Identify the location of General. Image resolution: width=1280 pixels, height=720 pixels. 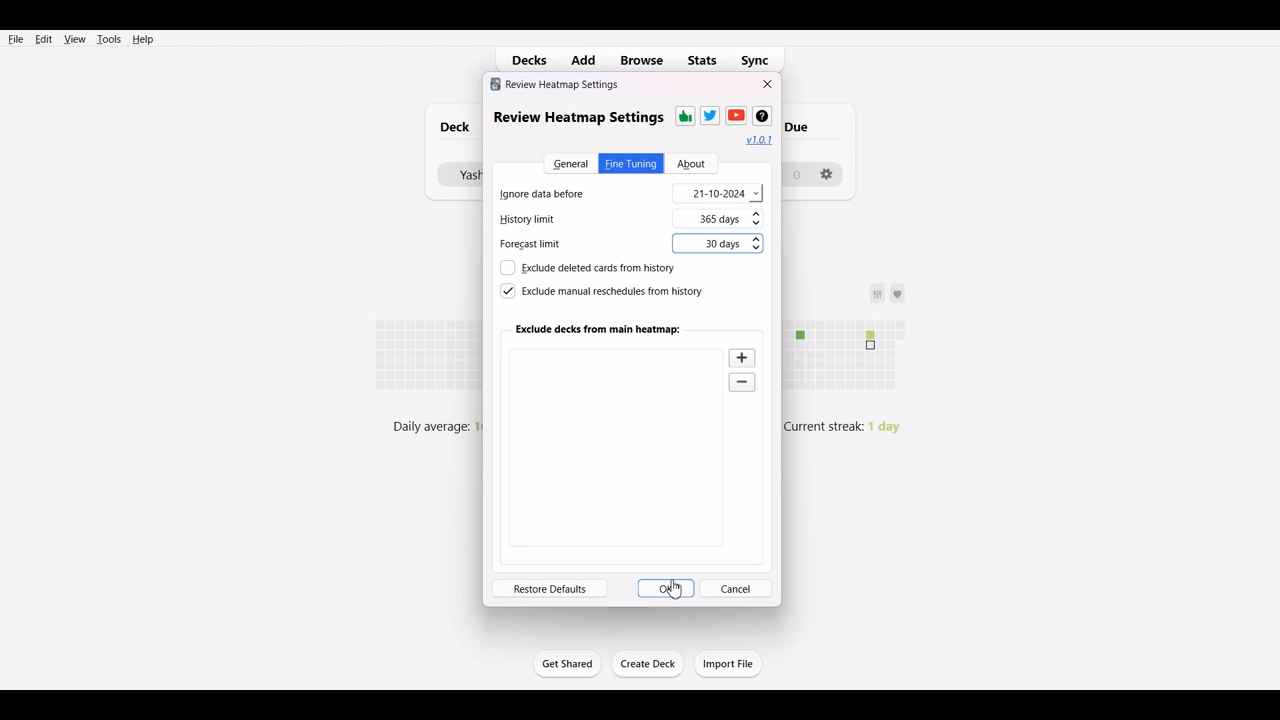
(569, 163).